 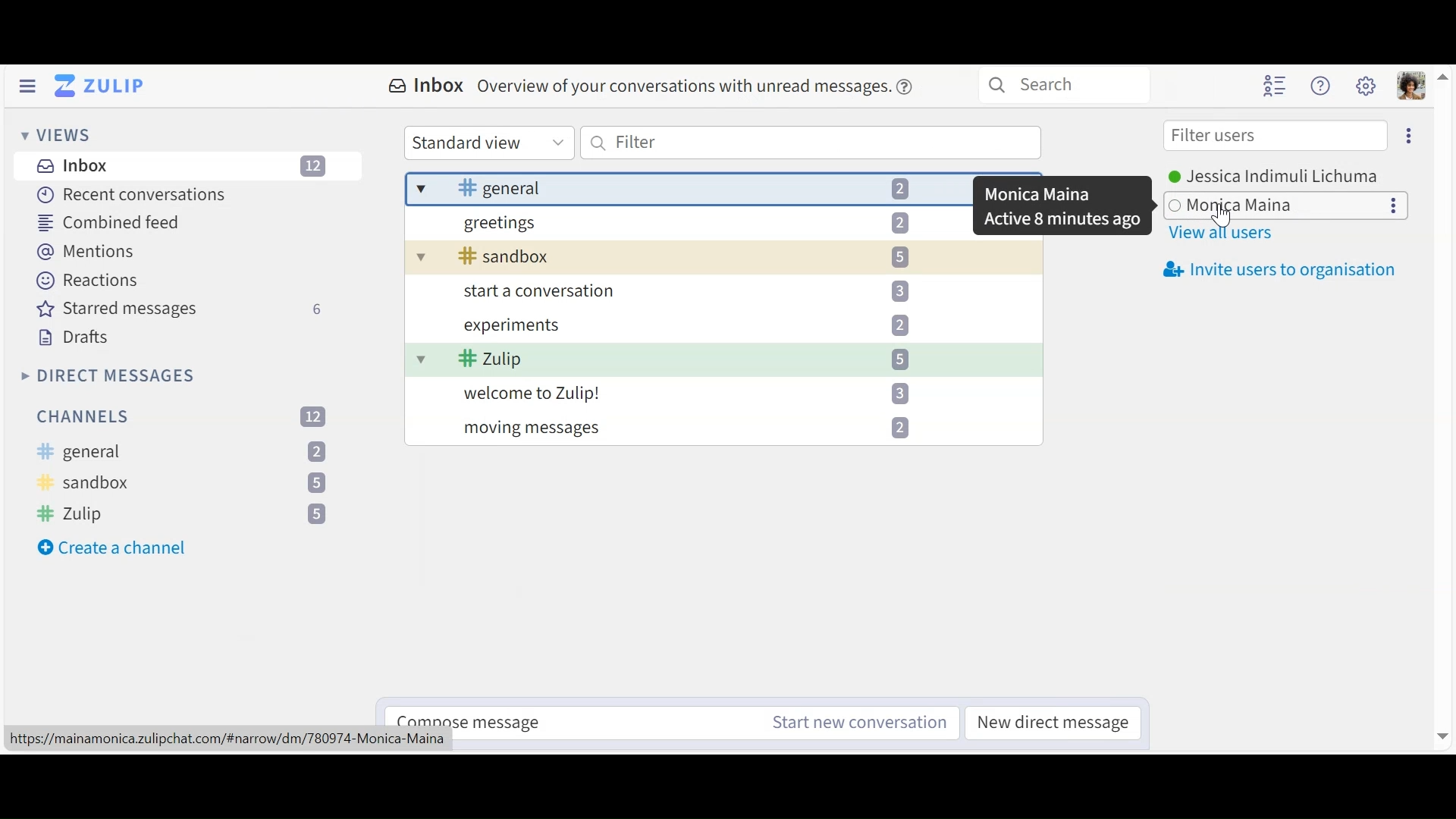 I want to click on help, so click(x=907, y=84).